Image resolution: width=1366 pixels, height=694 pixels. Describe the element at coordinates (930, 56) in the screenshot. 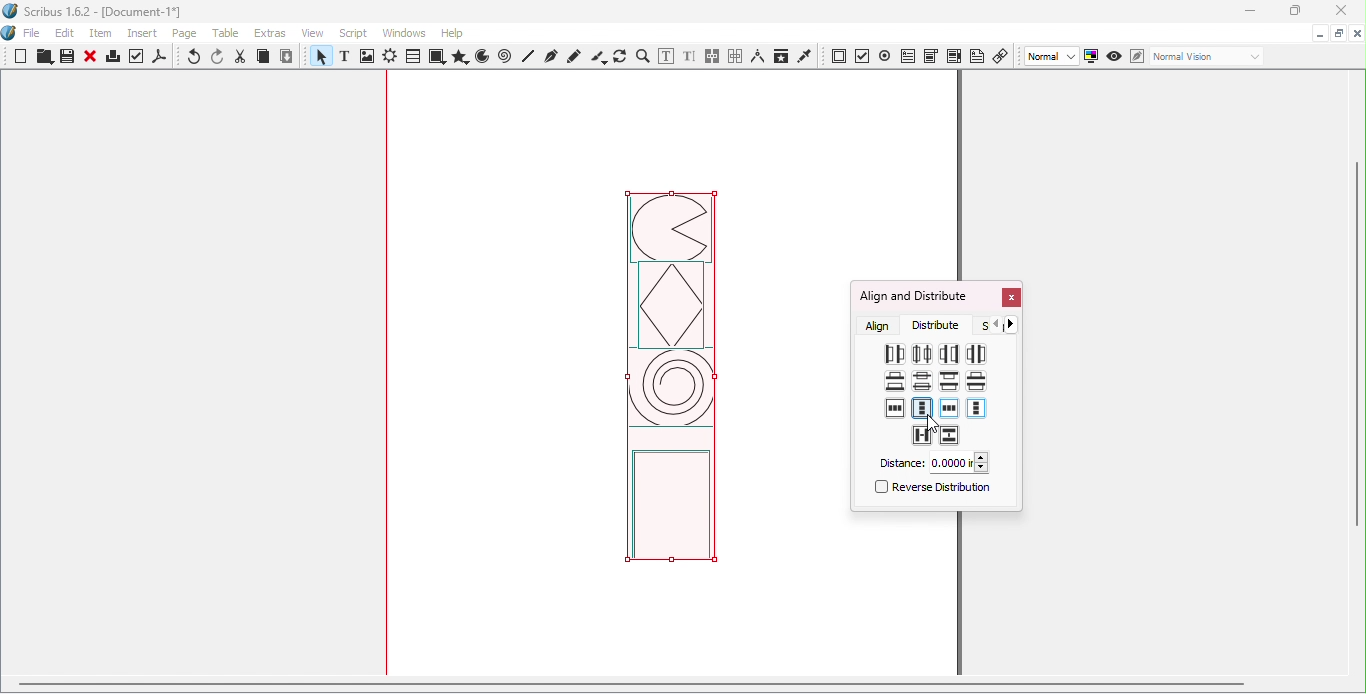

I see `PDF combo box` at that location.